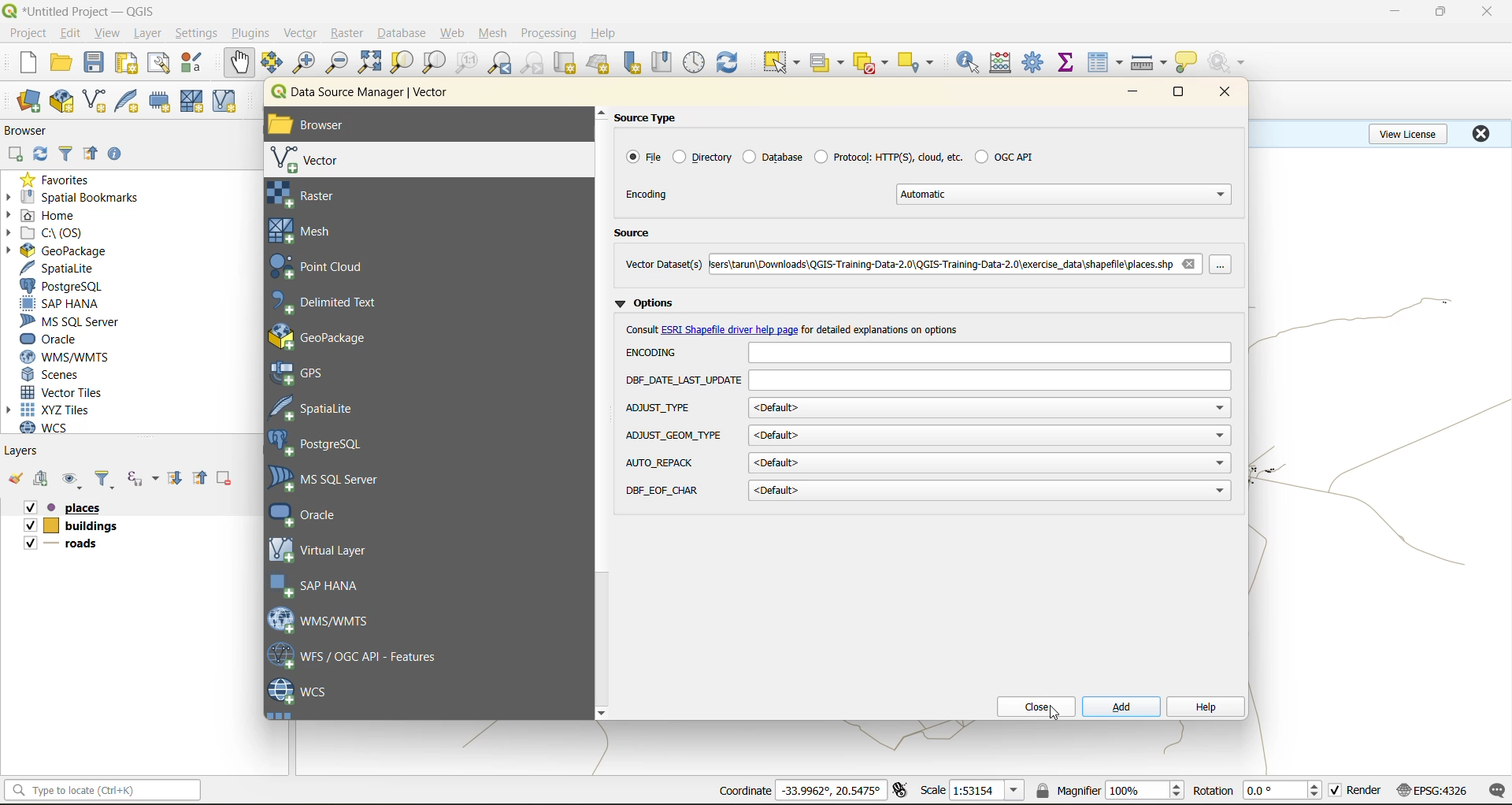 The image size is (1512, 805). What do you see at coordinates (683, 381) in the screenshot?
I see `dbf date last update` at bounding box center [683, 381].